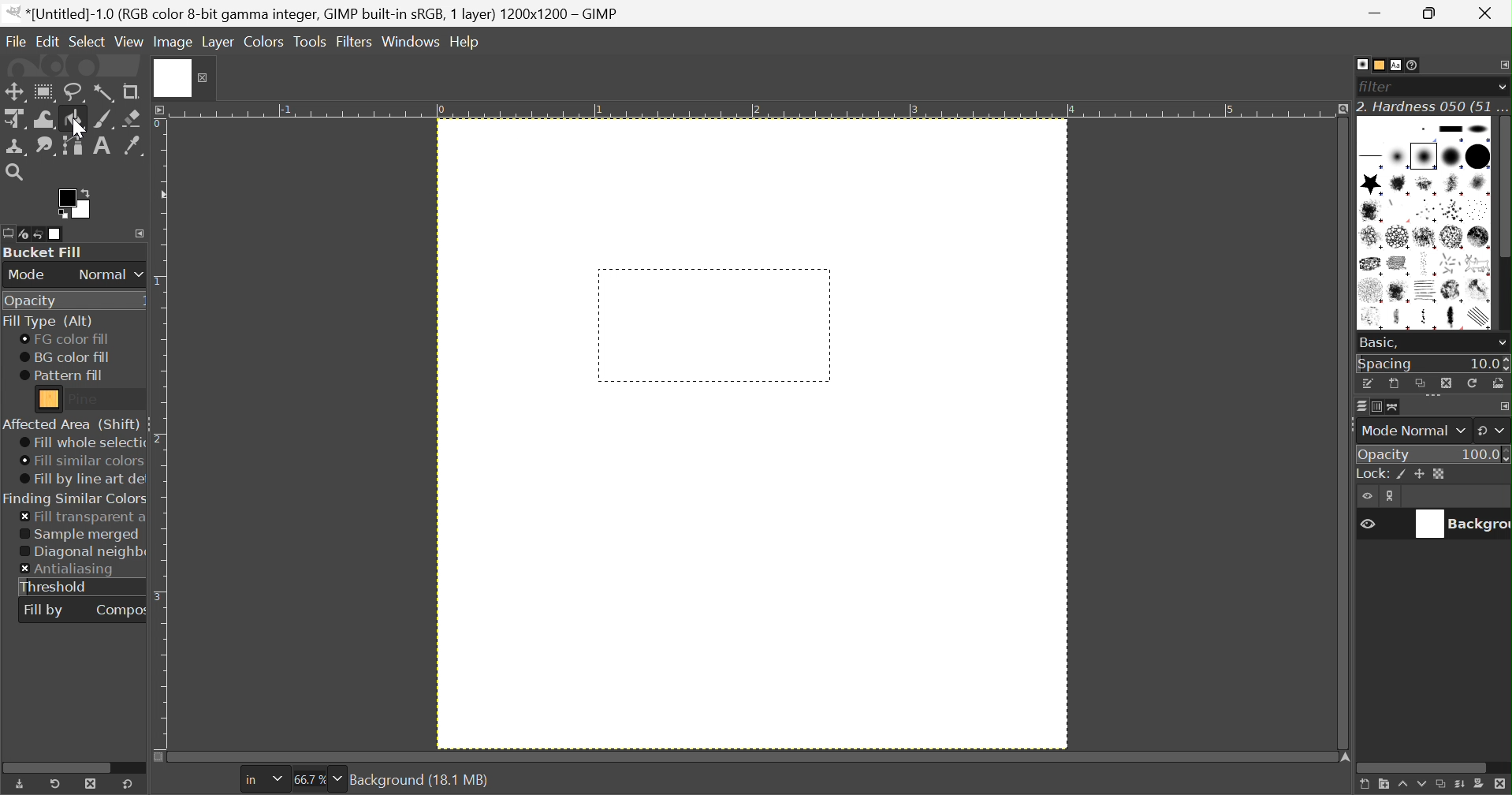 The image size is (1512, 795). I want to click on Edit this brush, so click(1369, 383).